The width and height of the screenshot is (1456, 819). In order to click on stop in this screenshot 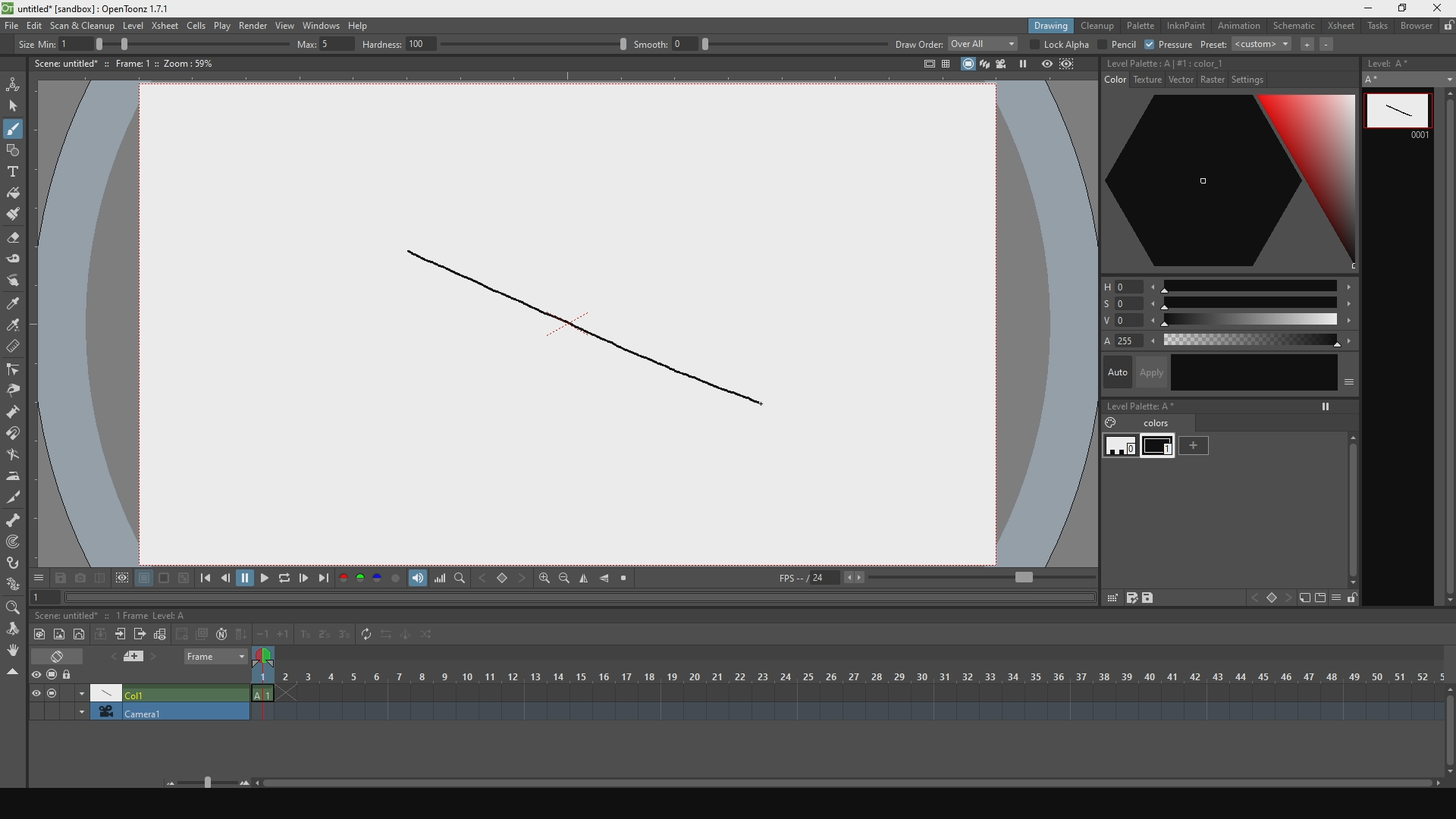, I will do `click(56, 674)`.